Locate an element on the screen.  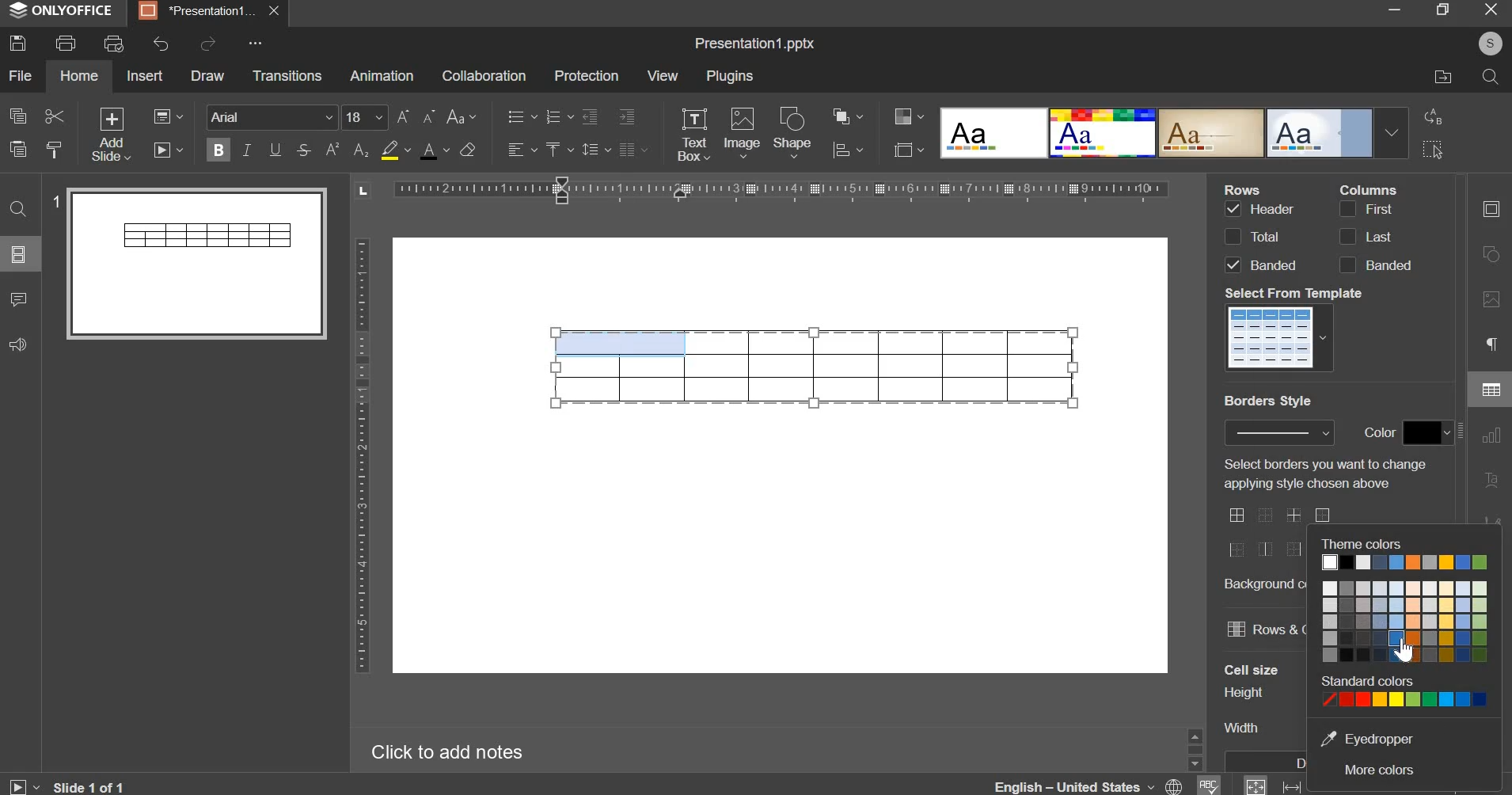
Background color is located at coordinates (1265, 584).